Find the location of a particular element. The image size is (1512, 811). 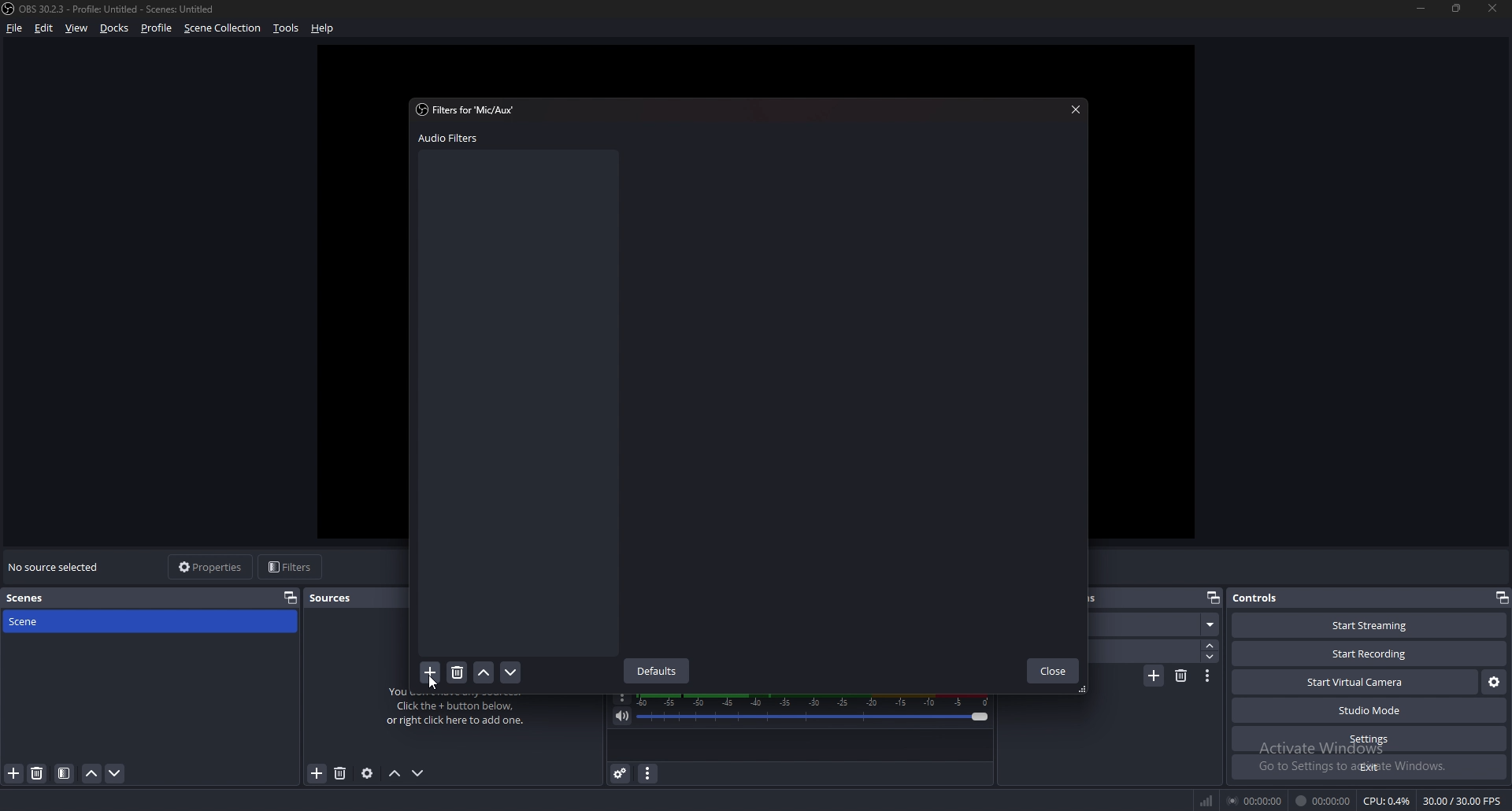

add scene is located at coordinates (14, 773).